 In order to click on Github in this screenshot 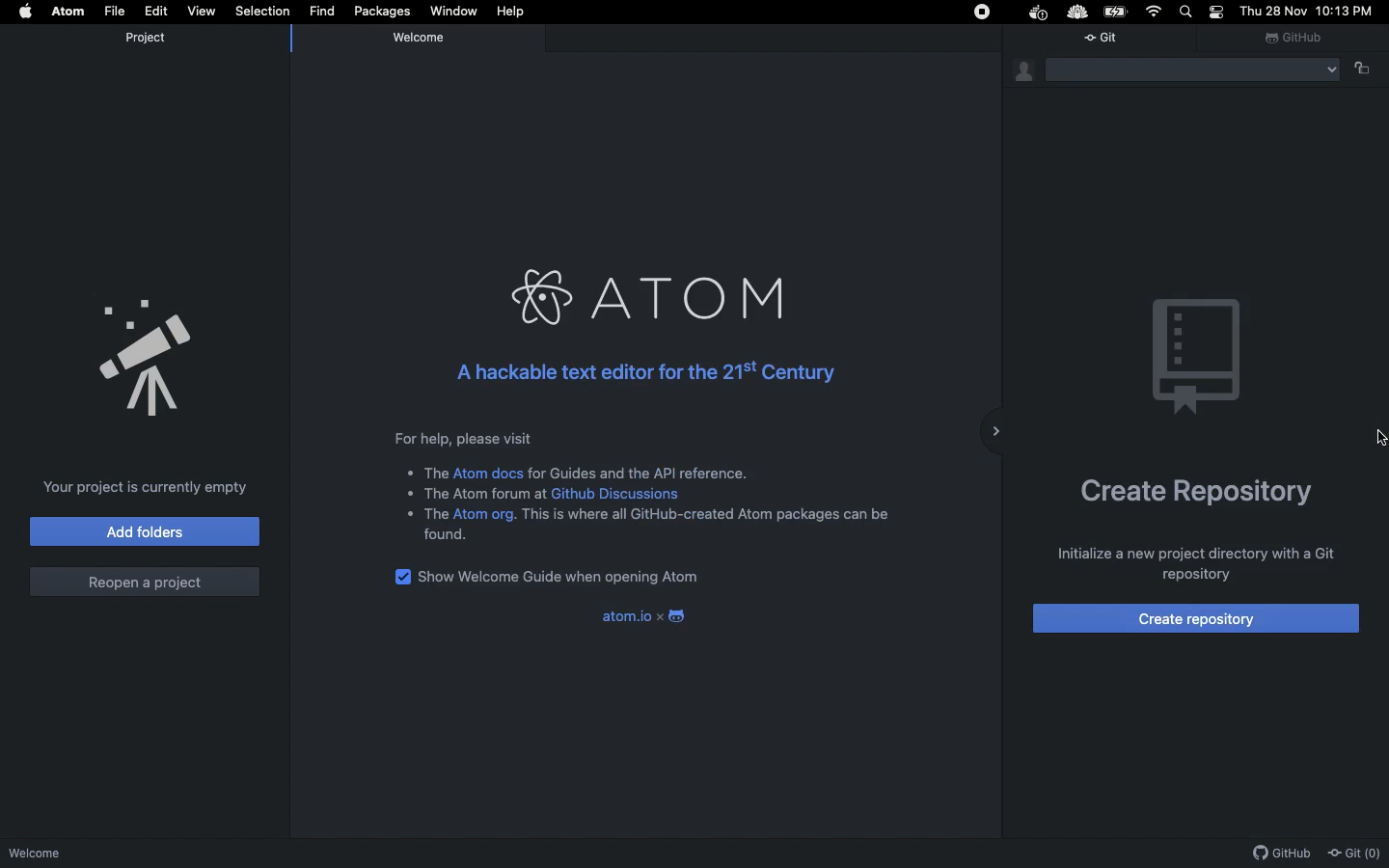, I will do `click(1296, 38)`.